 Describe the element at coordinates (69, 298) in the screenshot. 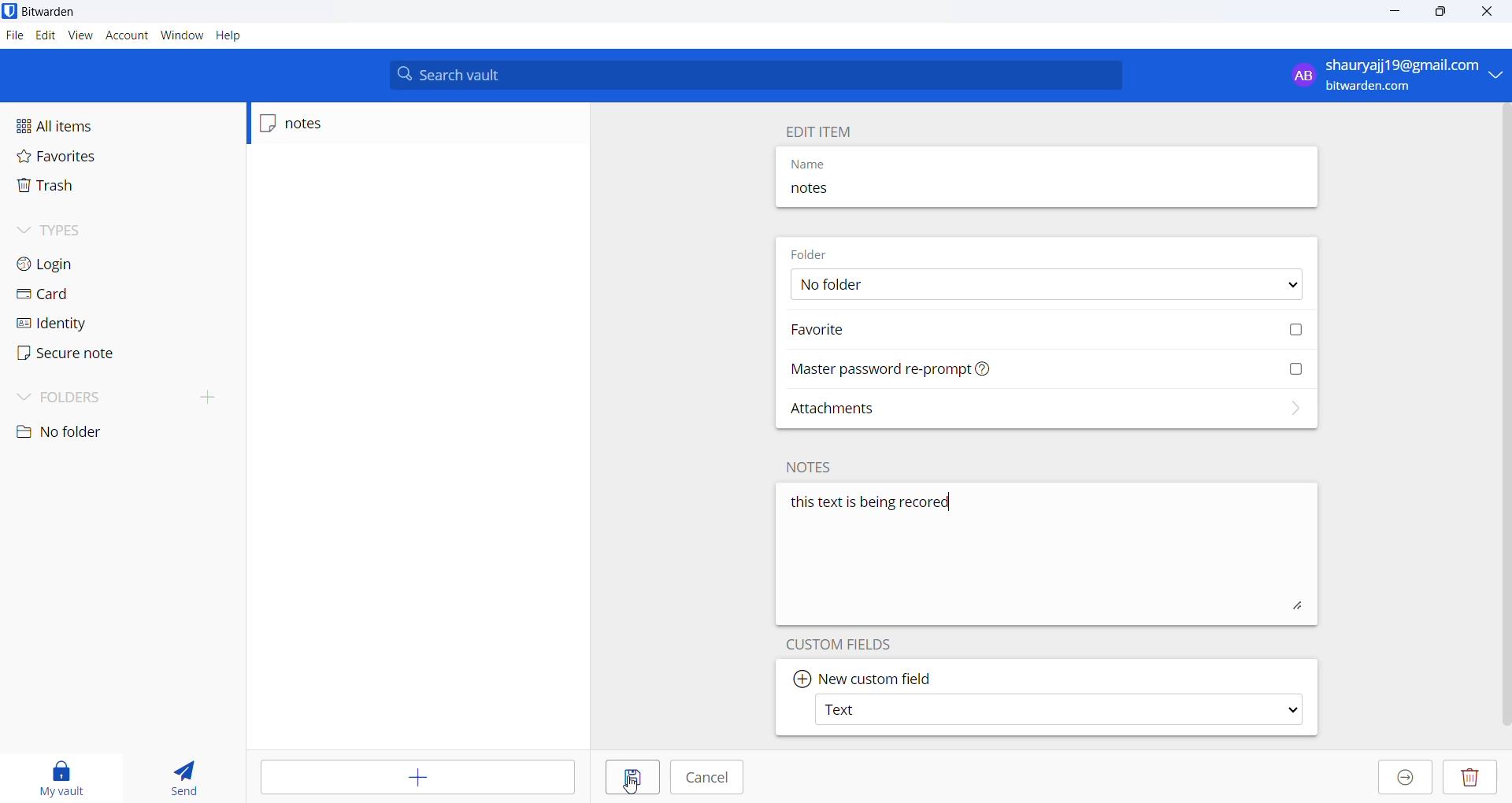

I see `card` at that location.